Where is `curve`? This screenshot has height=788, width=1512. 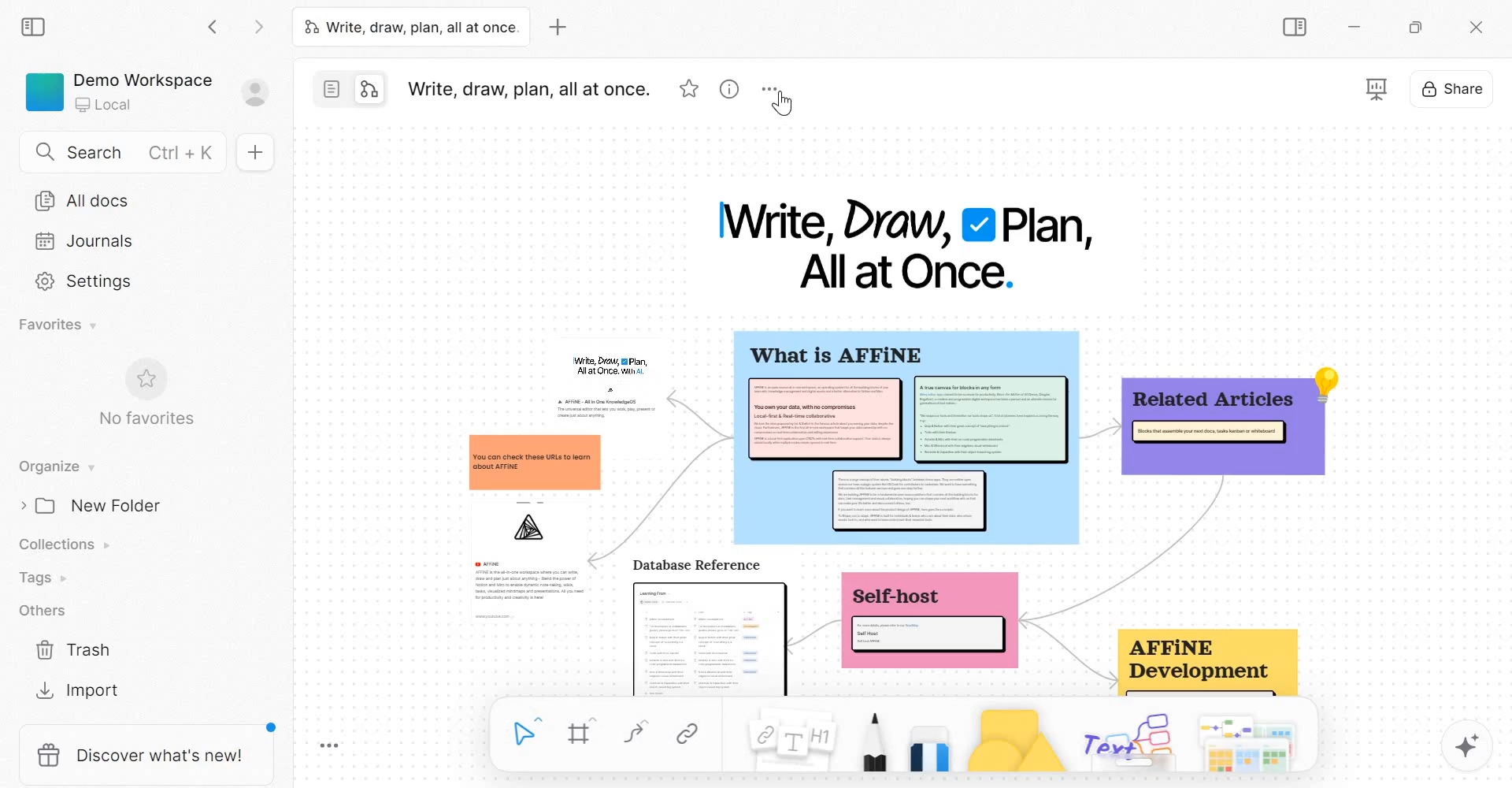
curve is located at coordinates (634, 734).